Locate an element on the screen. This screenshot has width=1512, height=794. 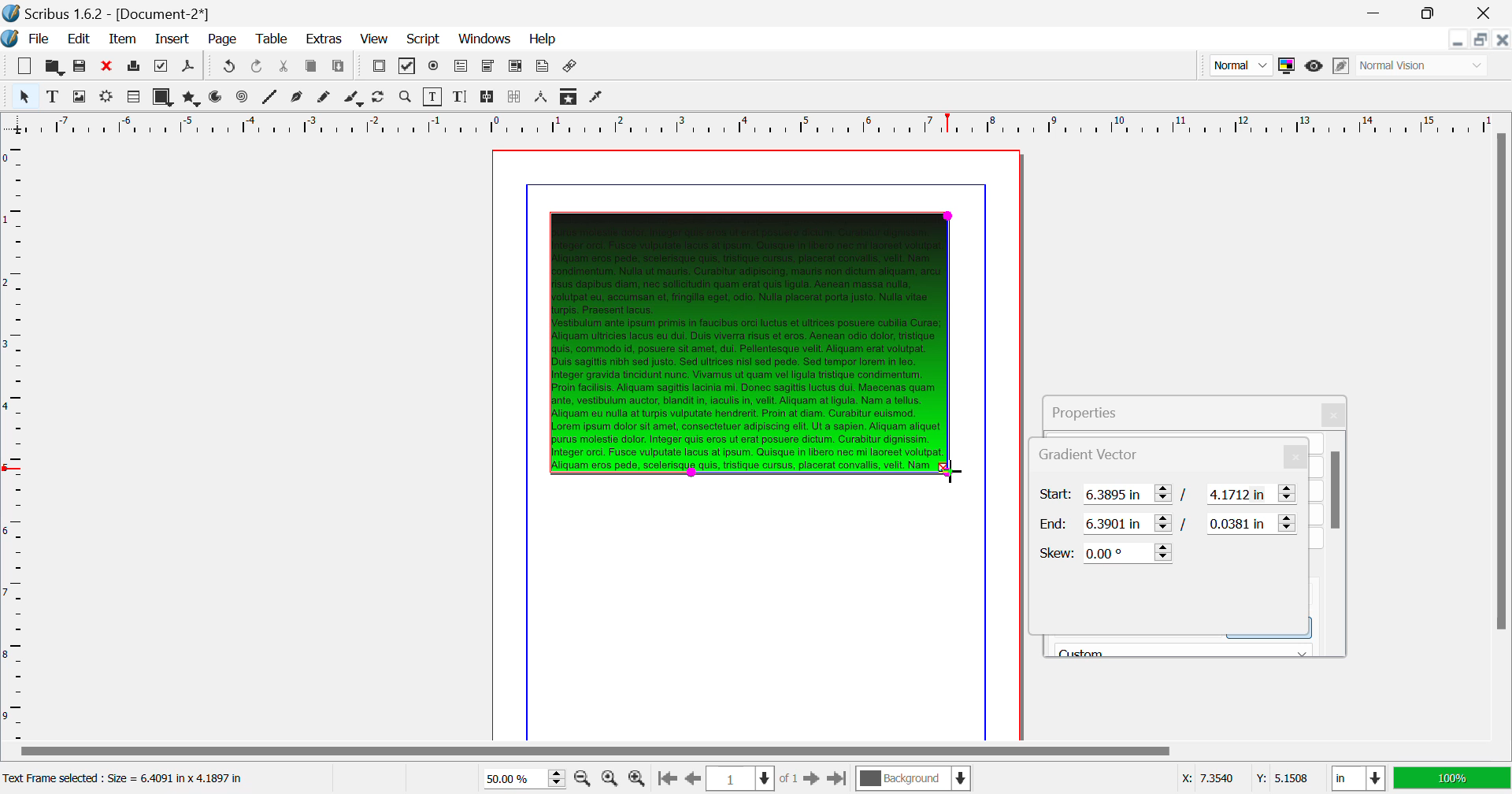
Discard is located at coordinates (107, 66).